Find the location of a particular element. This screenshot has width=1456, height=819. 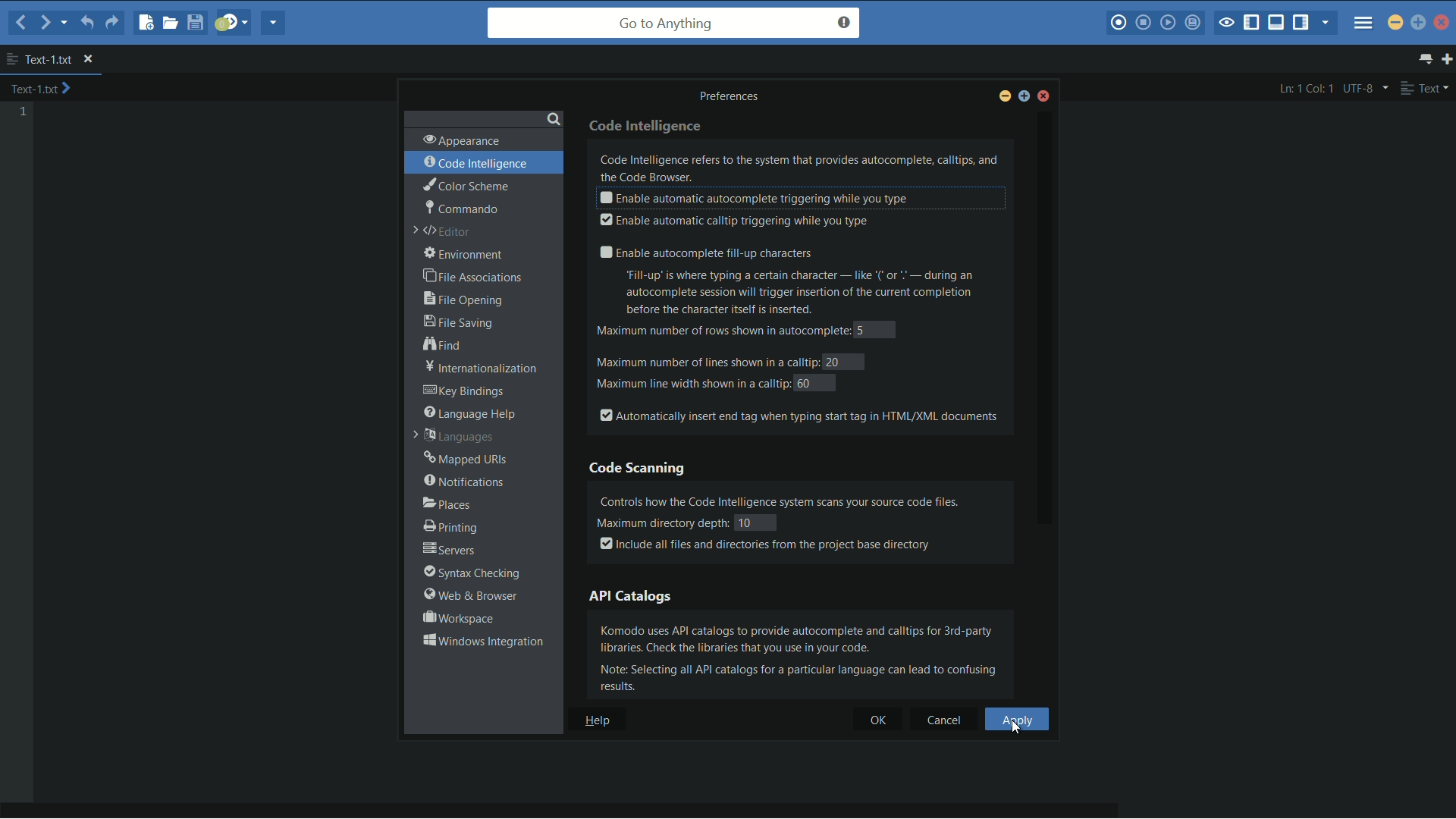

maximize is located at coordinates (1418, 22).